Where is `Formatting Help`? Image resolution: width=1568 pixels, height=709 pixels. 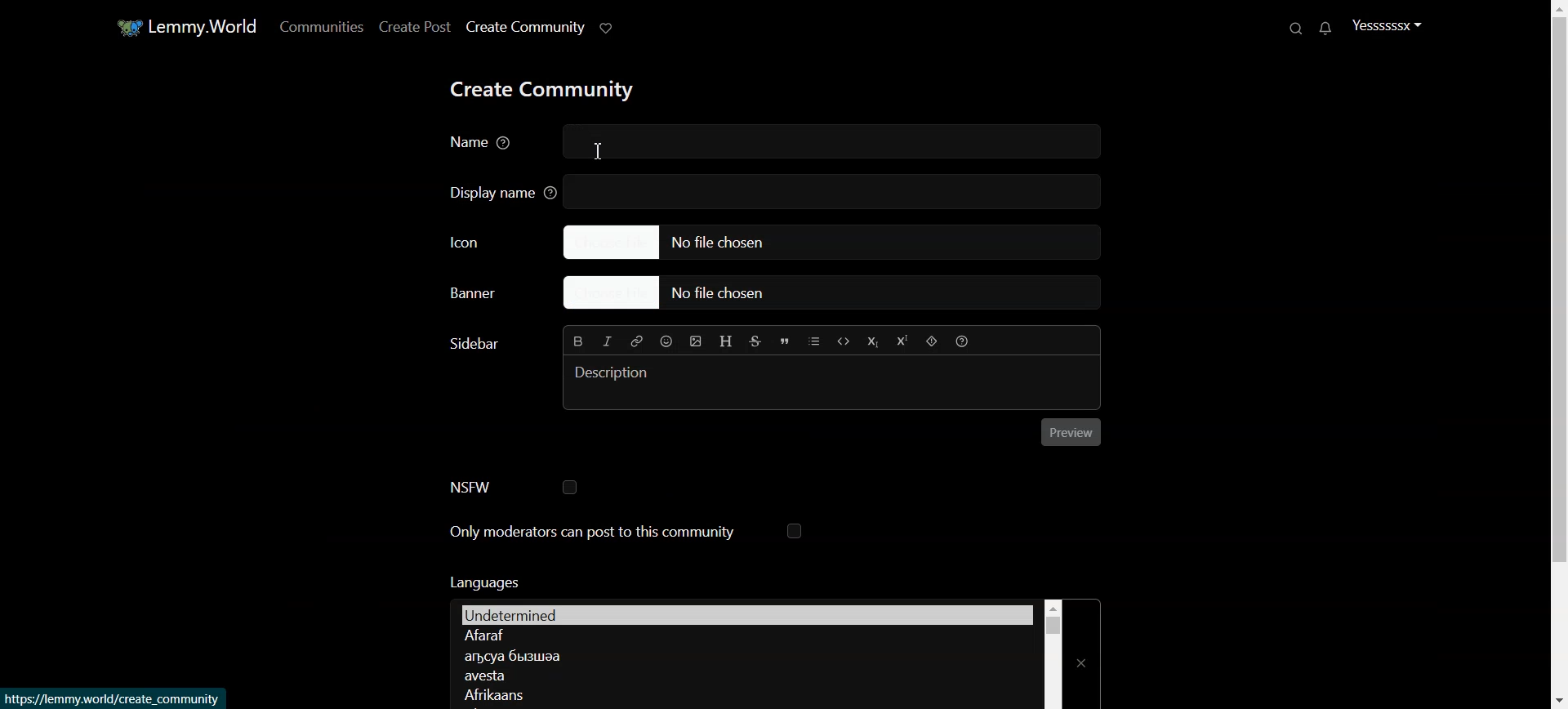
Formatting Help is located at coordinates (961, 341).